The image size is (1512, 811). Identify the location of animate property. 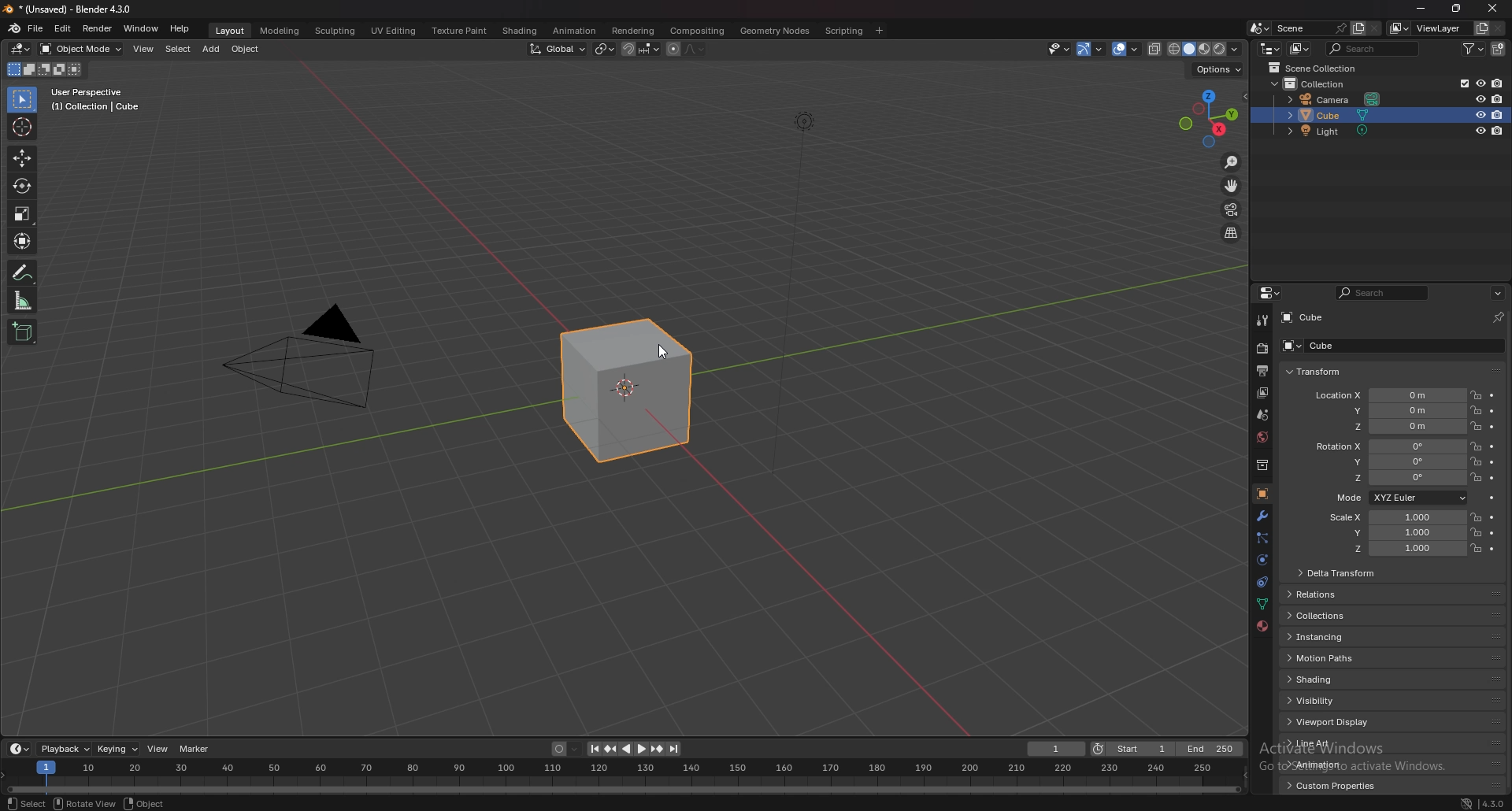
(1493, 447).